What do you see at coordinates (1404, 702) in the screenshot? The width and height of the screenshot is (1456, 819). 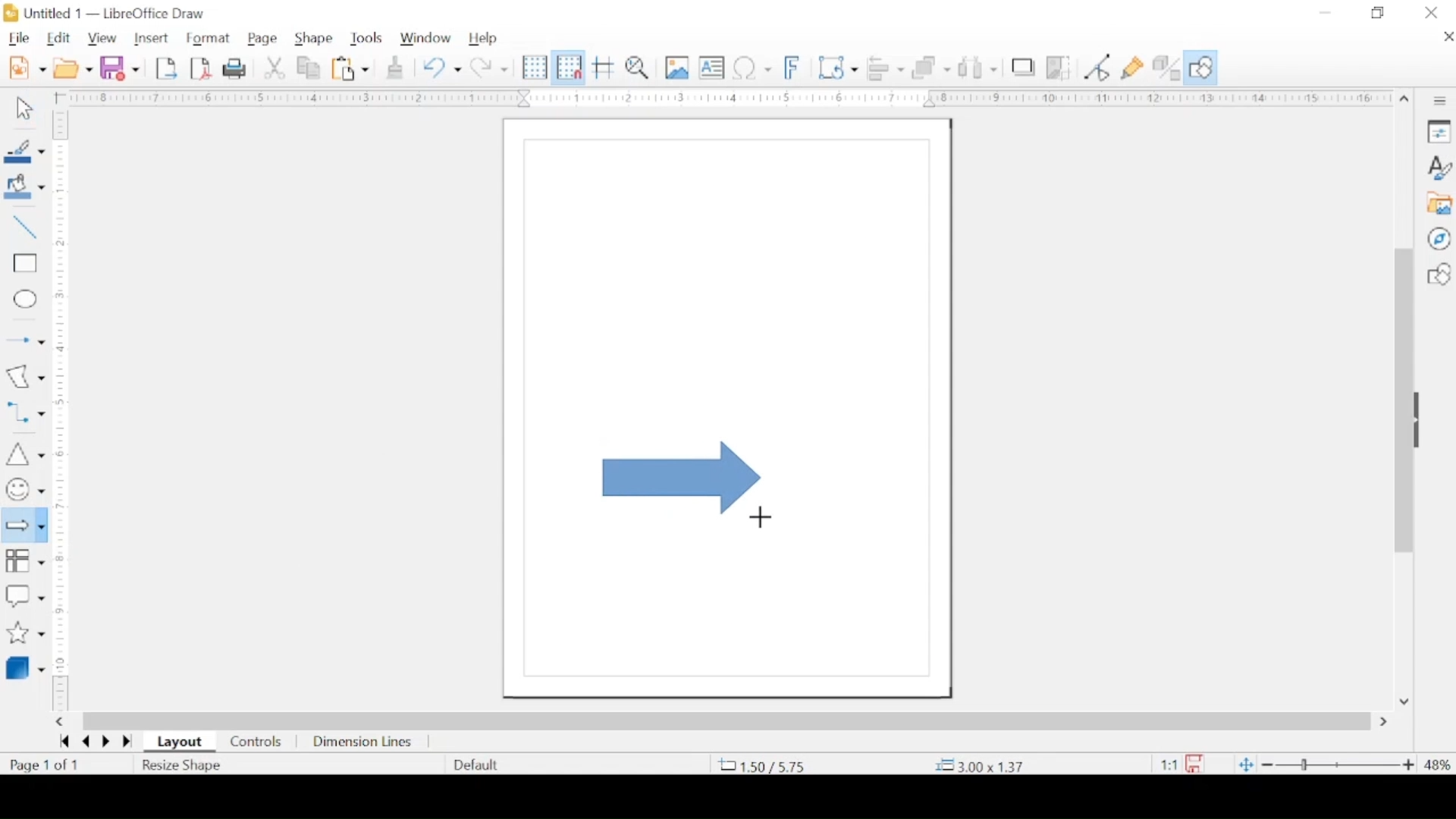 I see `scroll down arrow` at bounding box center [1404, 702].